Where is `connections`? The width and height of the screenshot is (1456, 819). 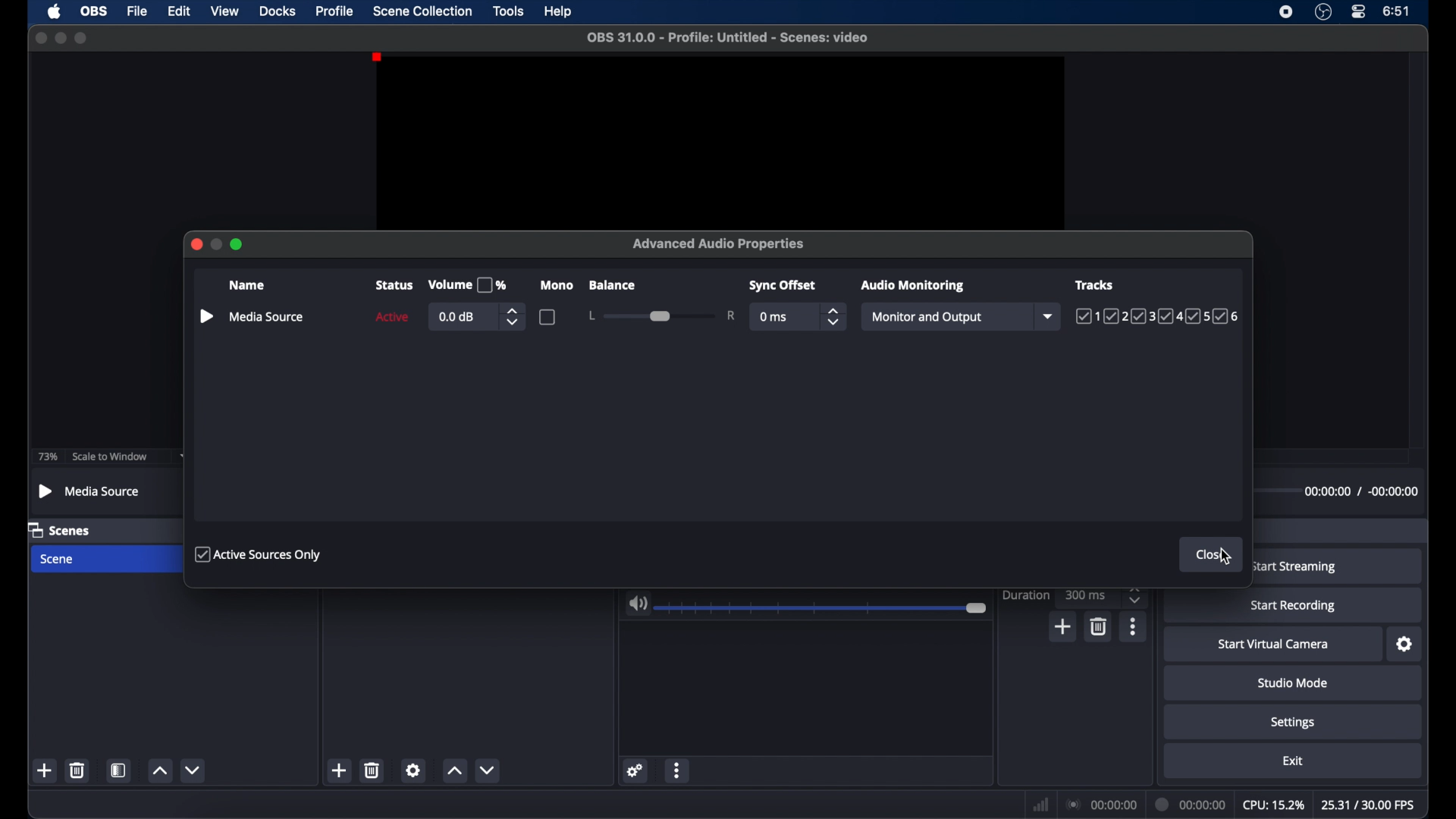 connections is located at coordinates (1100, 805).